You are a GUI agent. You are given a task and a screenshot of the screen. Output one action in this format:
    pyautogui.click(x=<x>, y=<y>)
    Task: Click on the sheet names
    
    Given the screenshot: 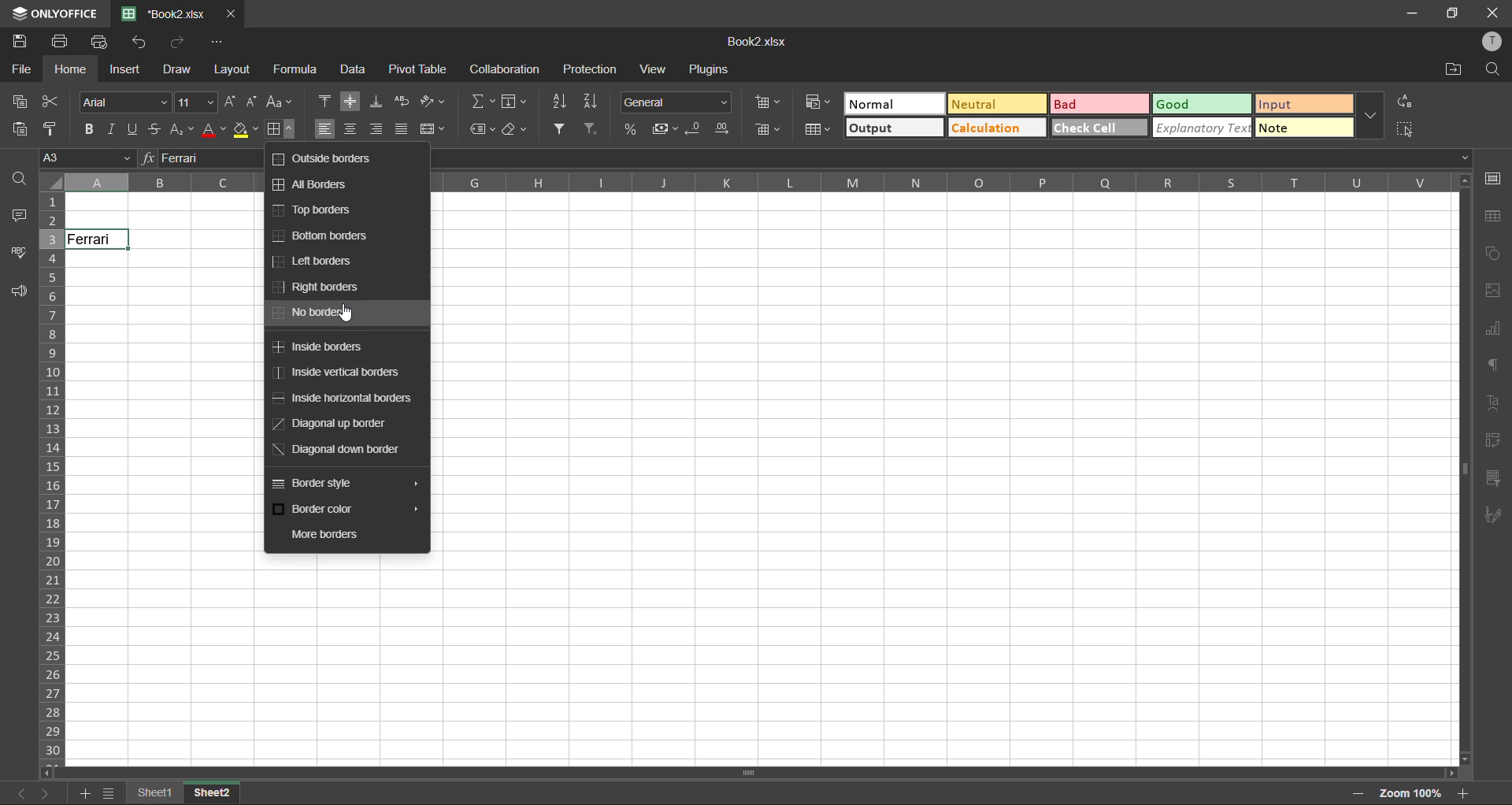 What is the action you would take?
    pyautogui.click(x=184, y=795)
    